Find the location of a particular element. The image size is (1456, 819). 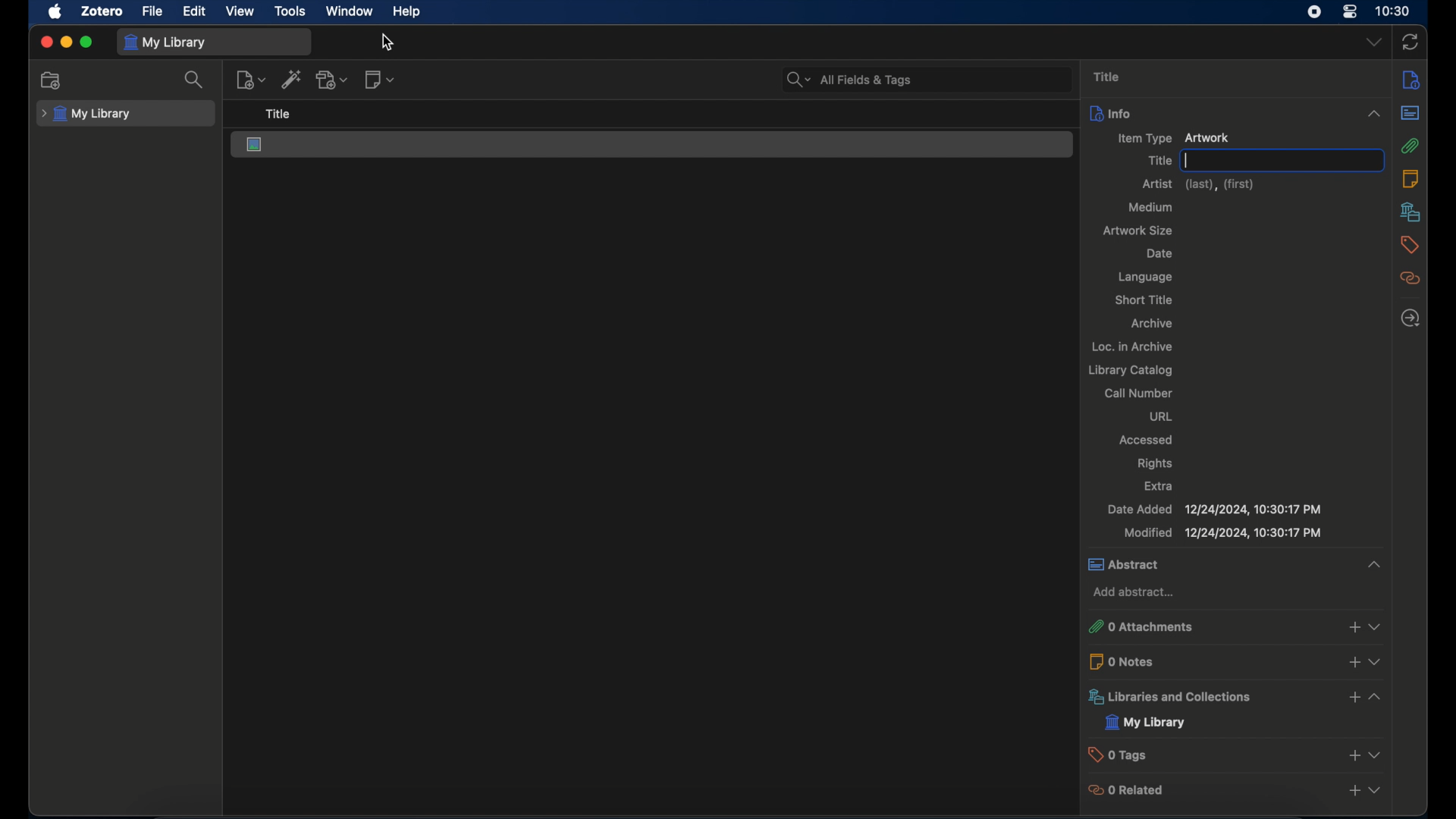

file is located at coordinates (152, 11).